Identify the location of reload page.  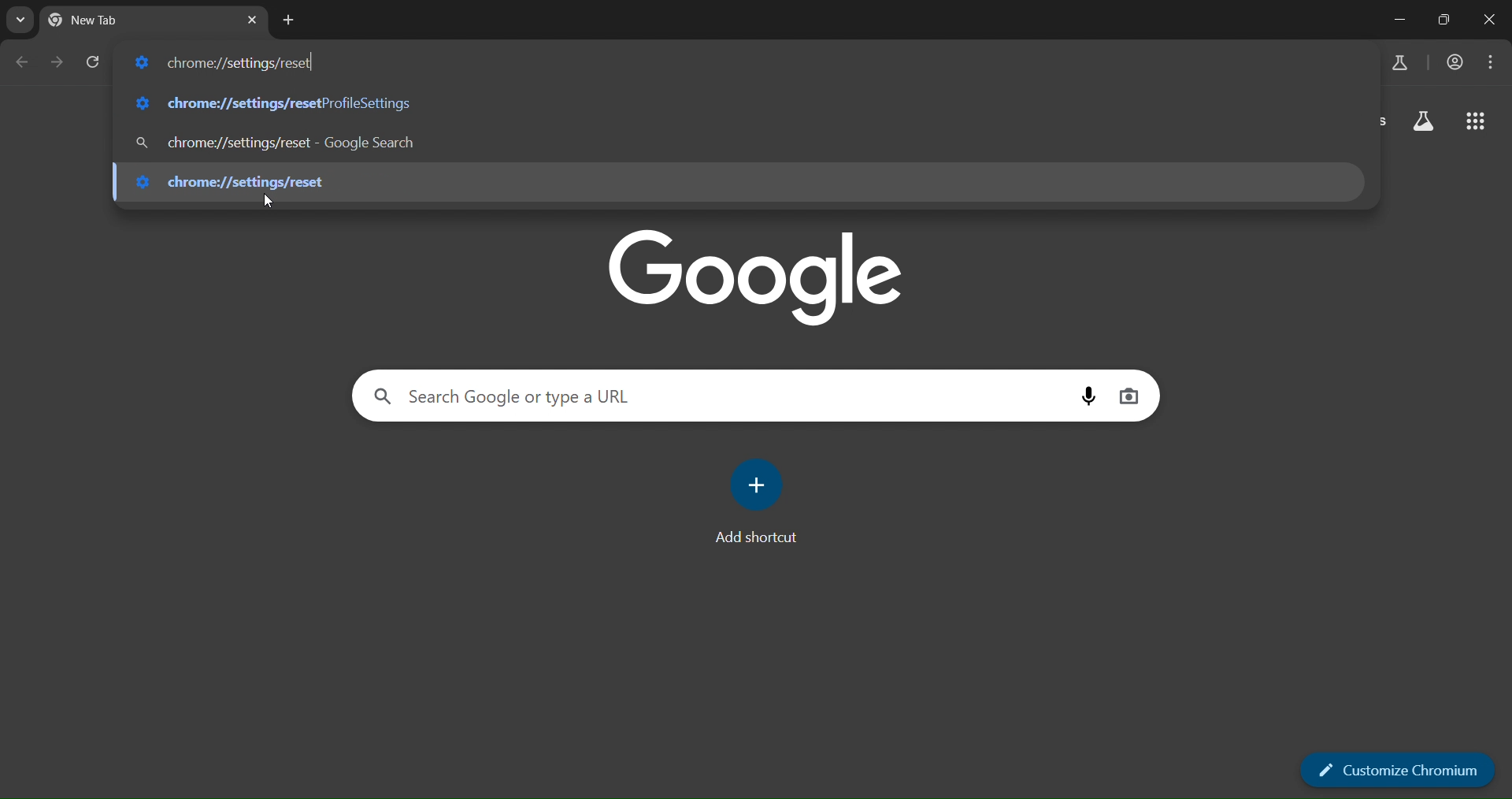
(93, 60).